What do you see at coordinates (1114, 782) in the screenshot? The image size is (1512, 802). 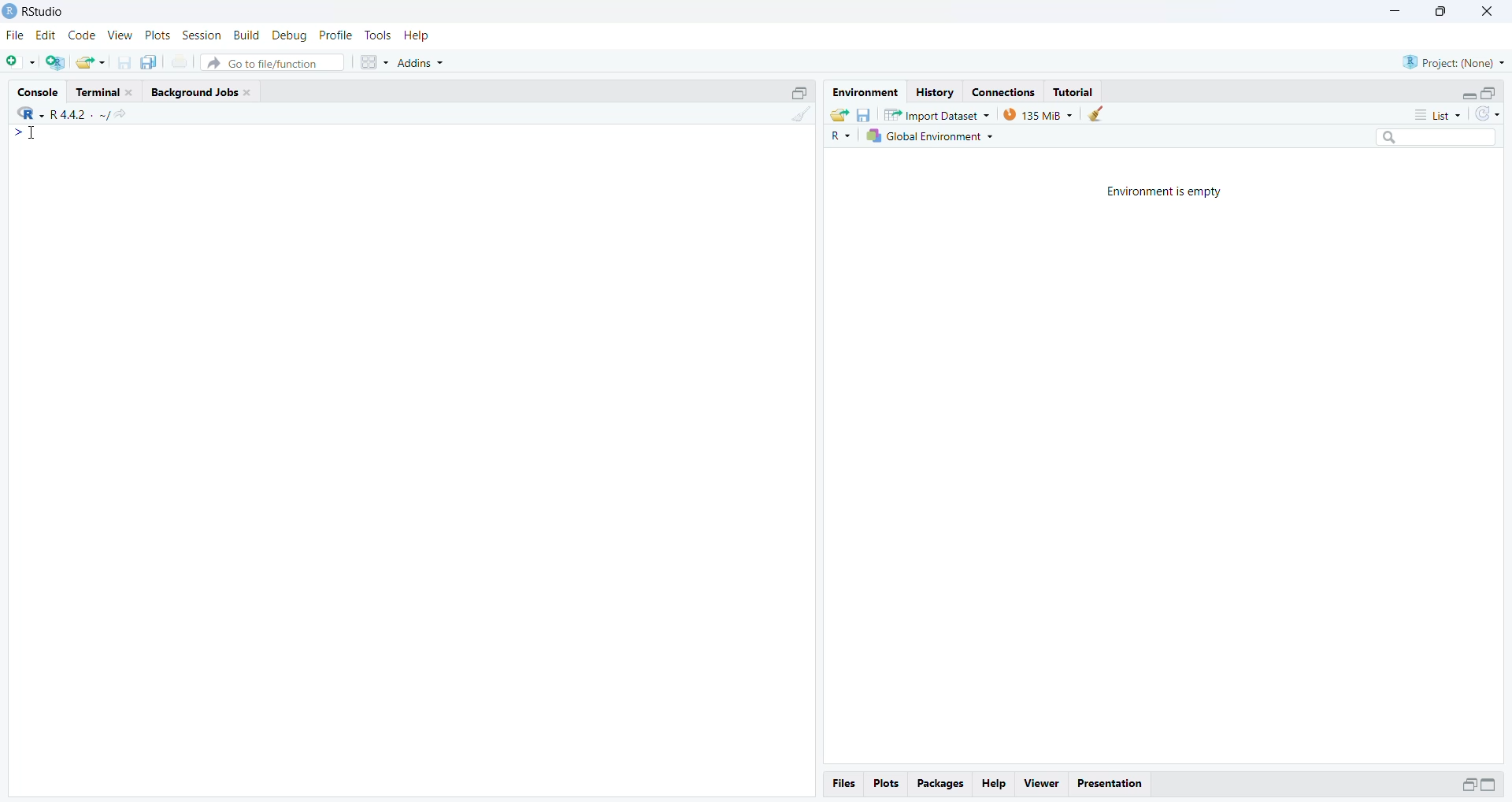 I see `Presentation` at bounding box center [1114, 782].